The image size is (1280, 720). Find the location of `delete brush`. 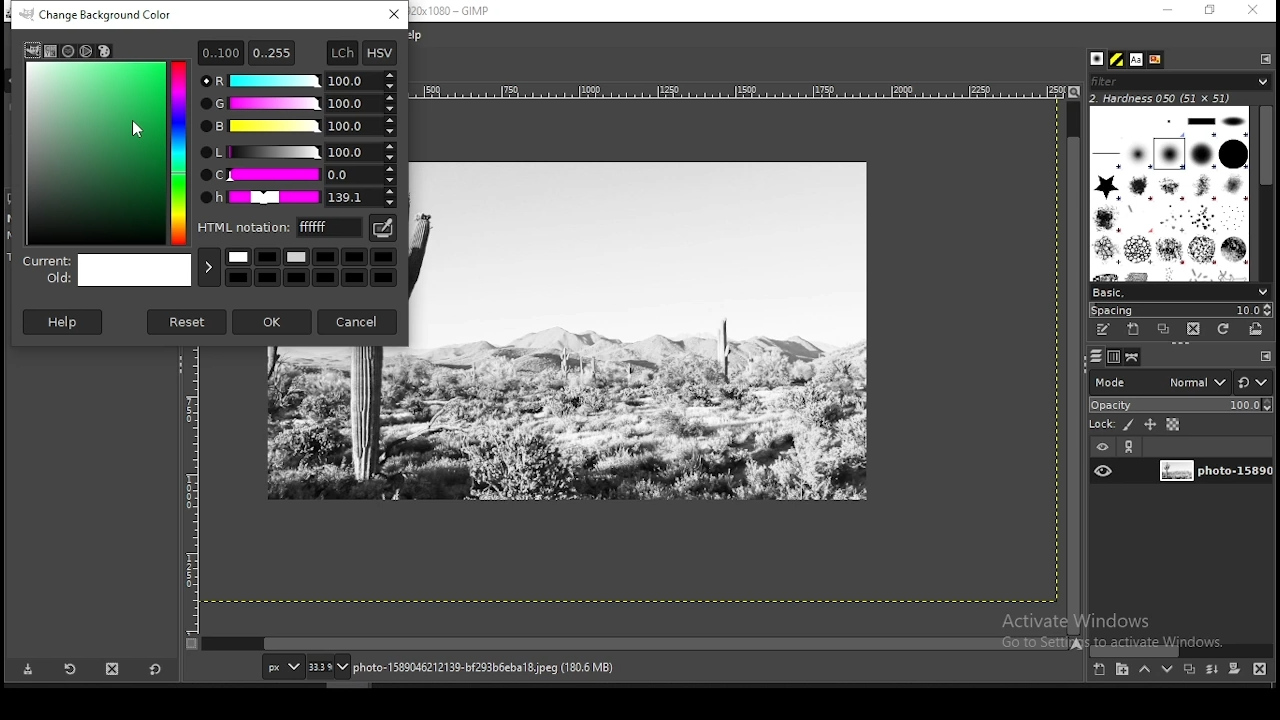

delete brush is located at coordinates (1193, 330).